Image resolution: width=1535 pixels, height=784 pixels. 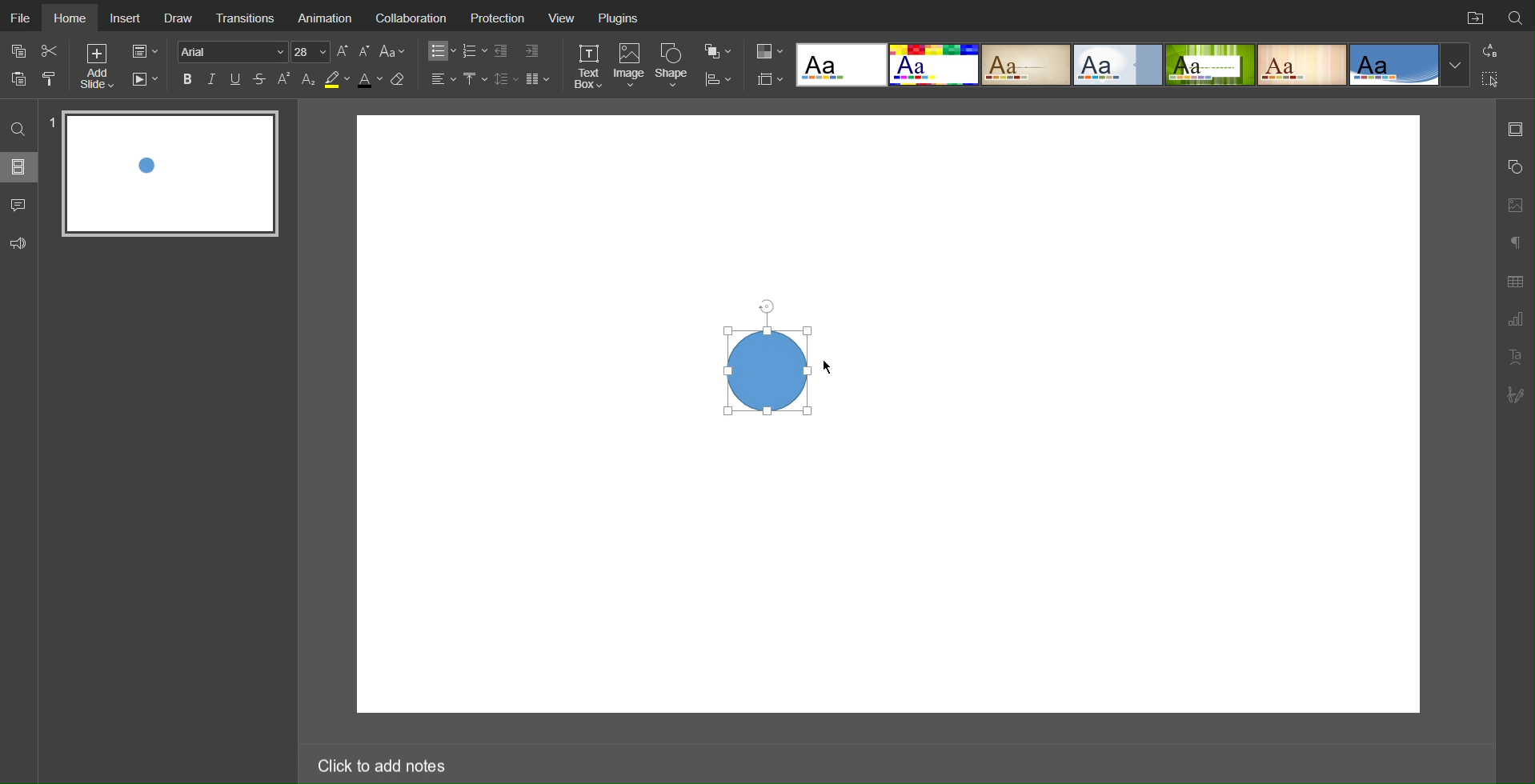 I want to click on Templates, so click(x=1134, y=63).